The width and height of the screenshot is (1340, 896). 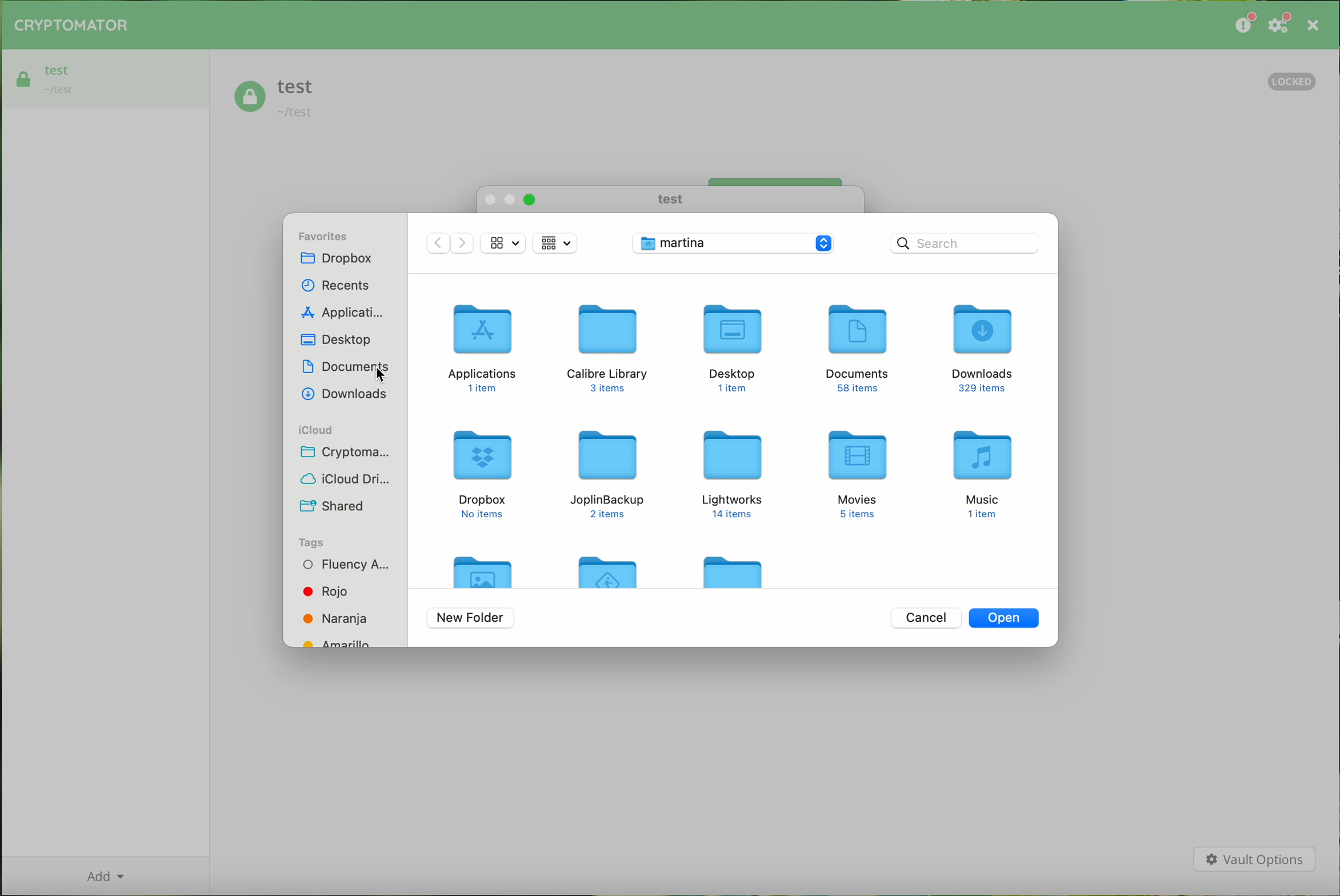 I want to click on dropbox, so click(x=483, y=474).